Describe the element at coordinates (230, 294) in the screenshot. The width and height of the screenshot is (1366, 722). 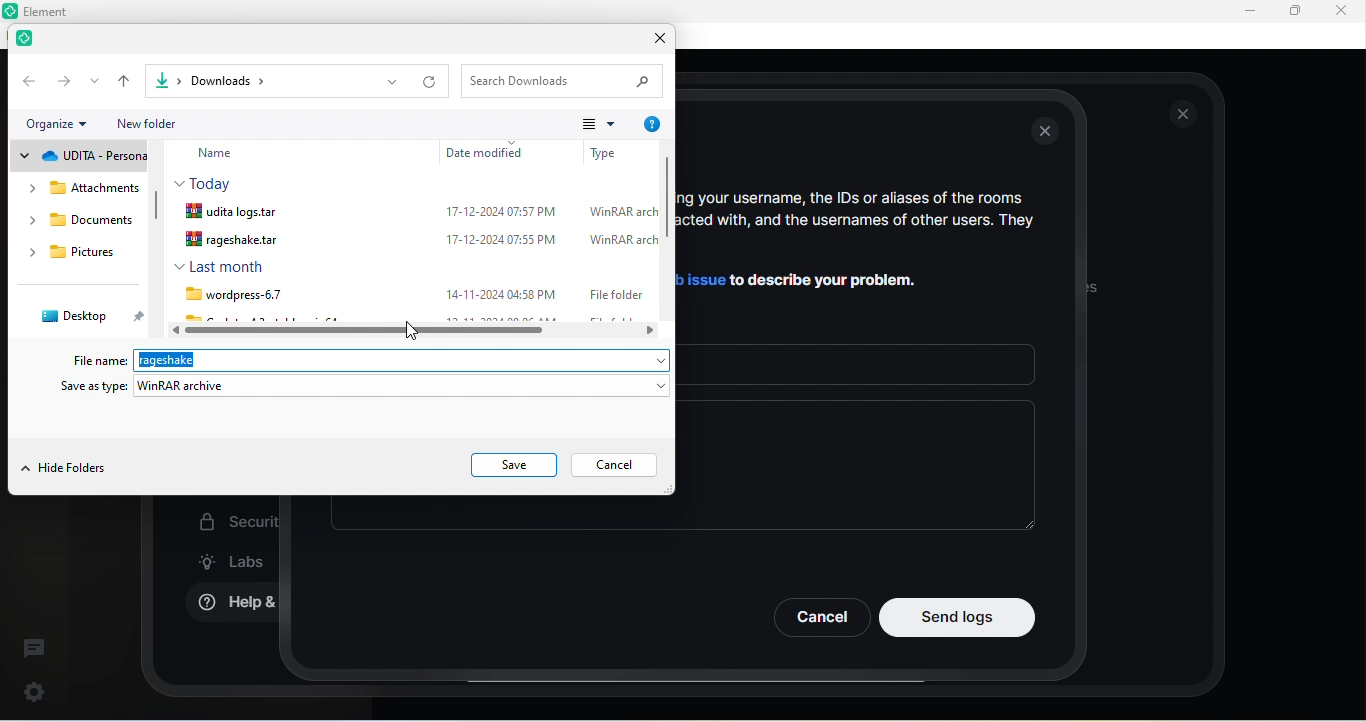
I see `wordpress-6.7` at that location.